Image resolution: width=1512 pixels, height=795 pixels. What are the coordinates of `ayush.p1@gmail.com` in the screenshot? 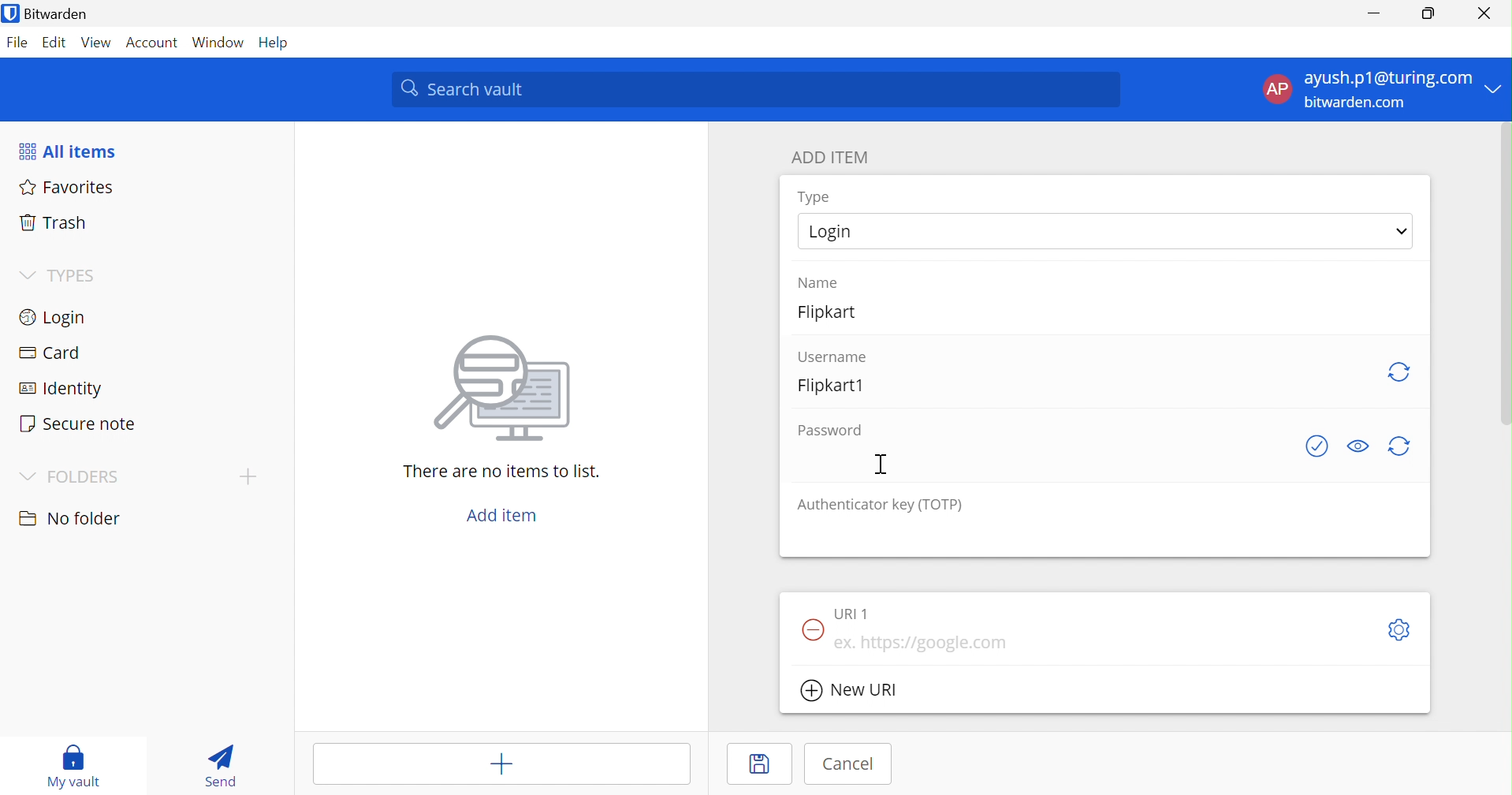 It's located at (1386, 80).